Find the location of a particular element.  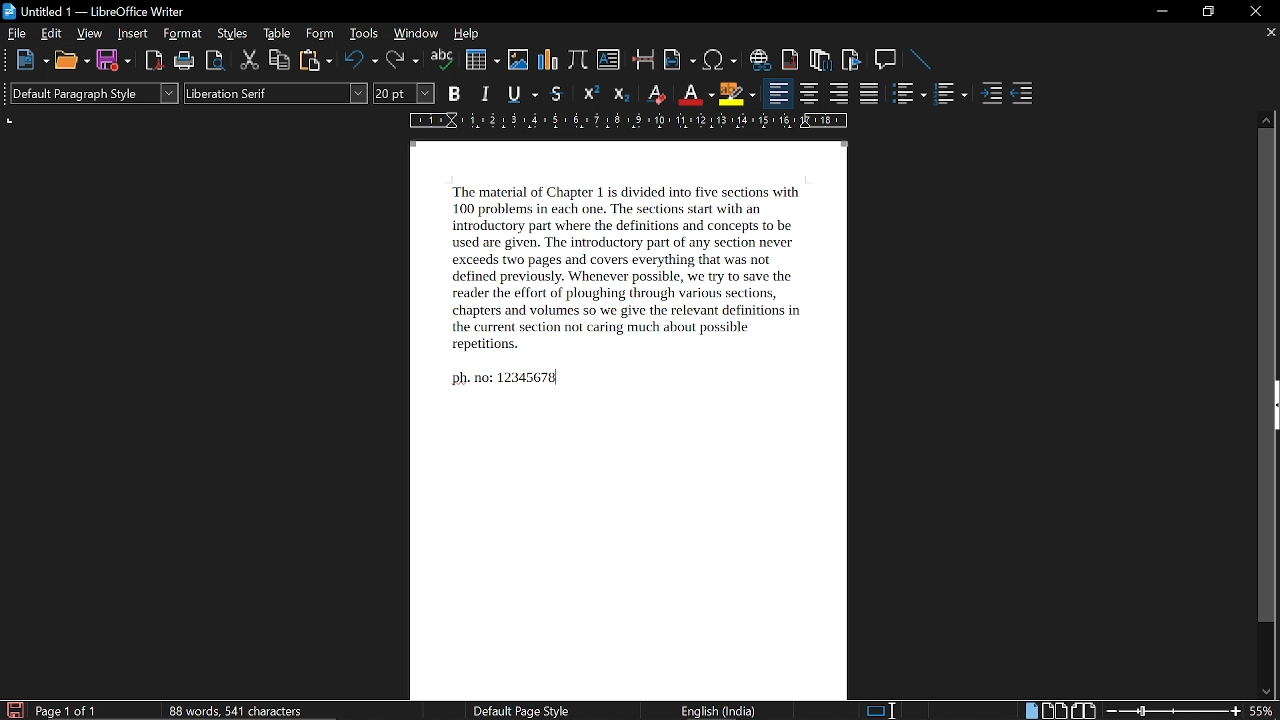

toggle ordered list is located at coordinates (951, 96).